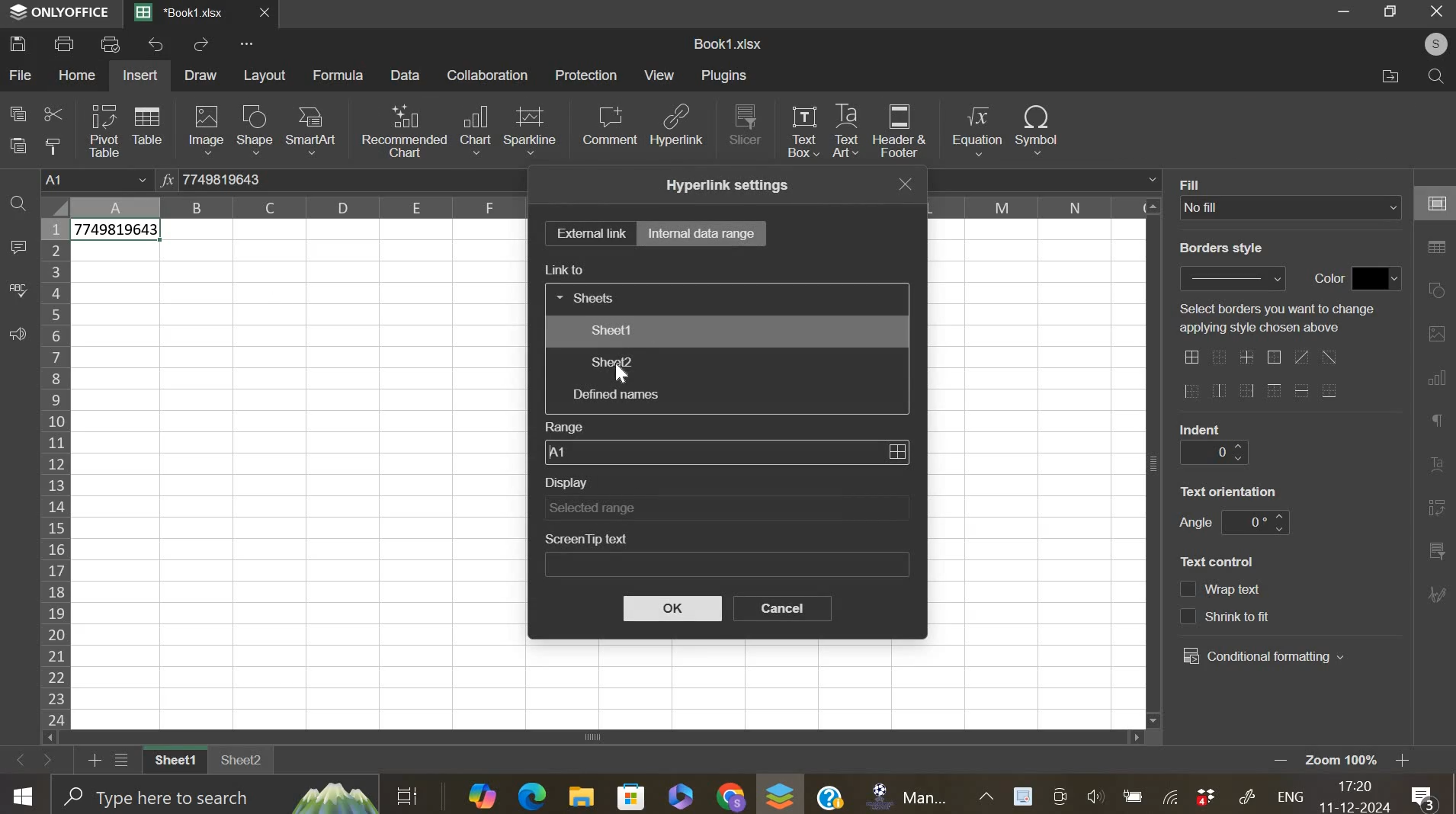  I want to click on print, so click(65, 43).